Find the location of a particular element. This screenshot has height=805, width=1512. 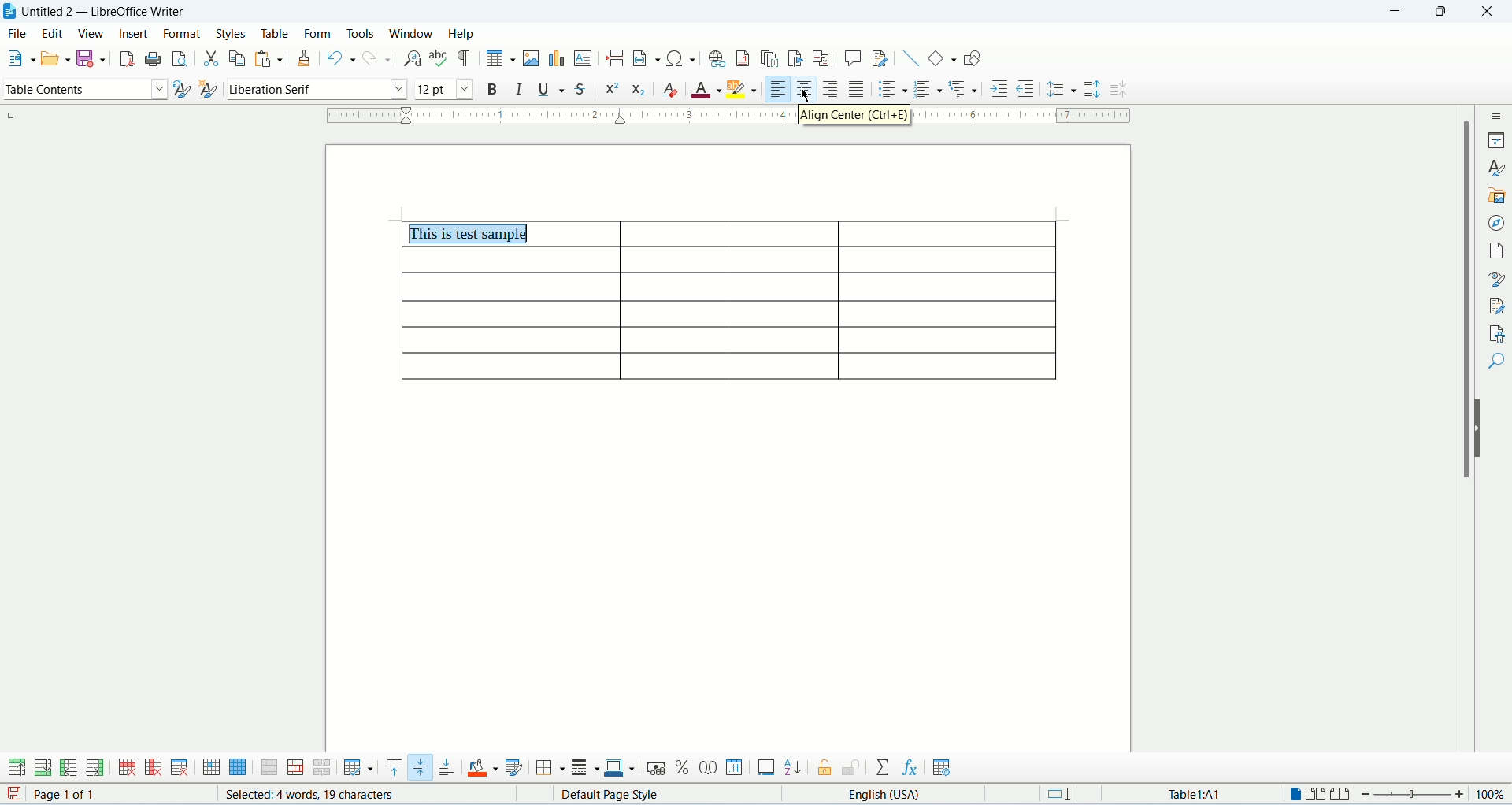

table properties is located at coordinates (941, 768).